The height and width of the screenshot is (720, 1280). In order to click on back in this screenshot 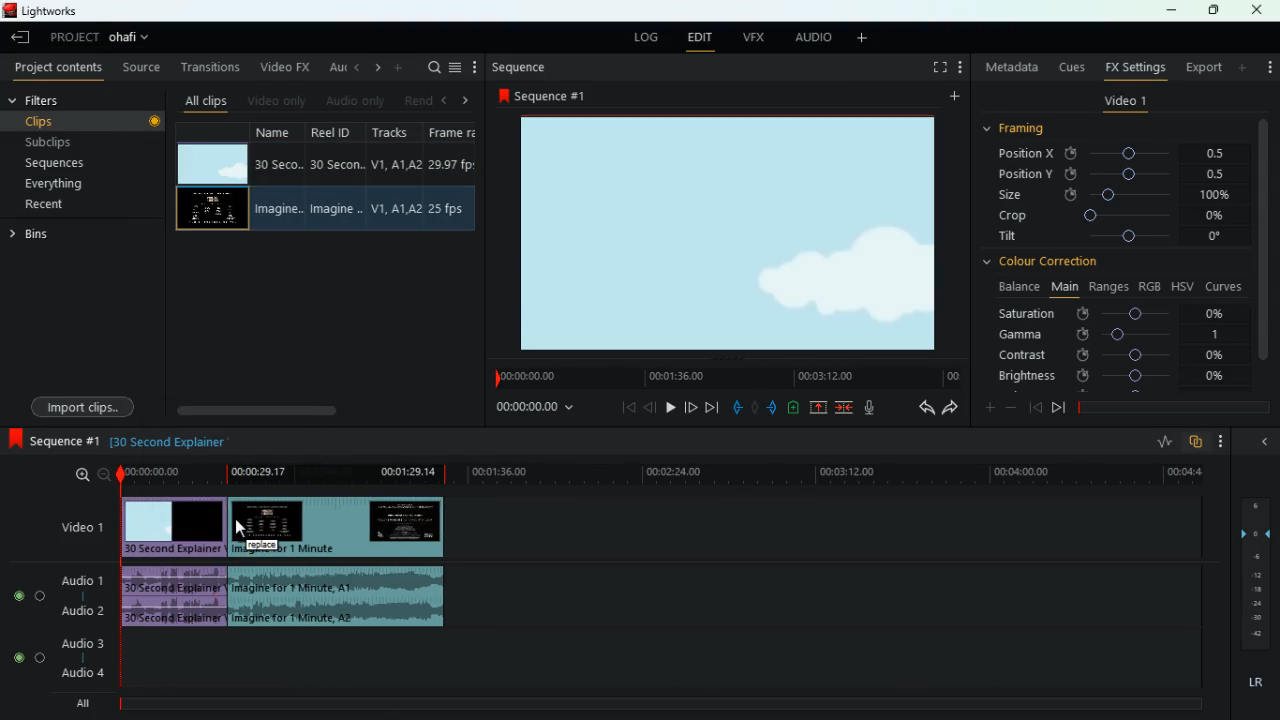, I will do `click(1262, 441)`.